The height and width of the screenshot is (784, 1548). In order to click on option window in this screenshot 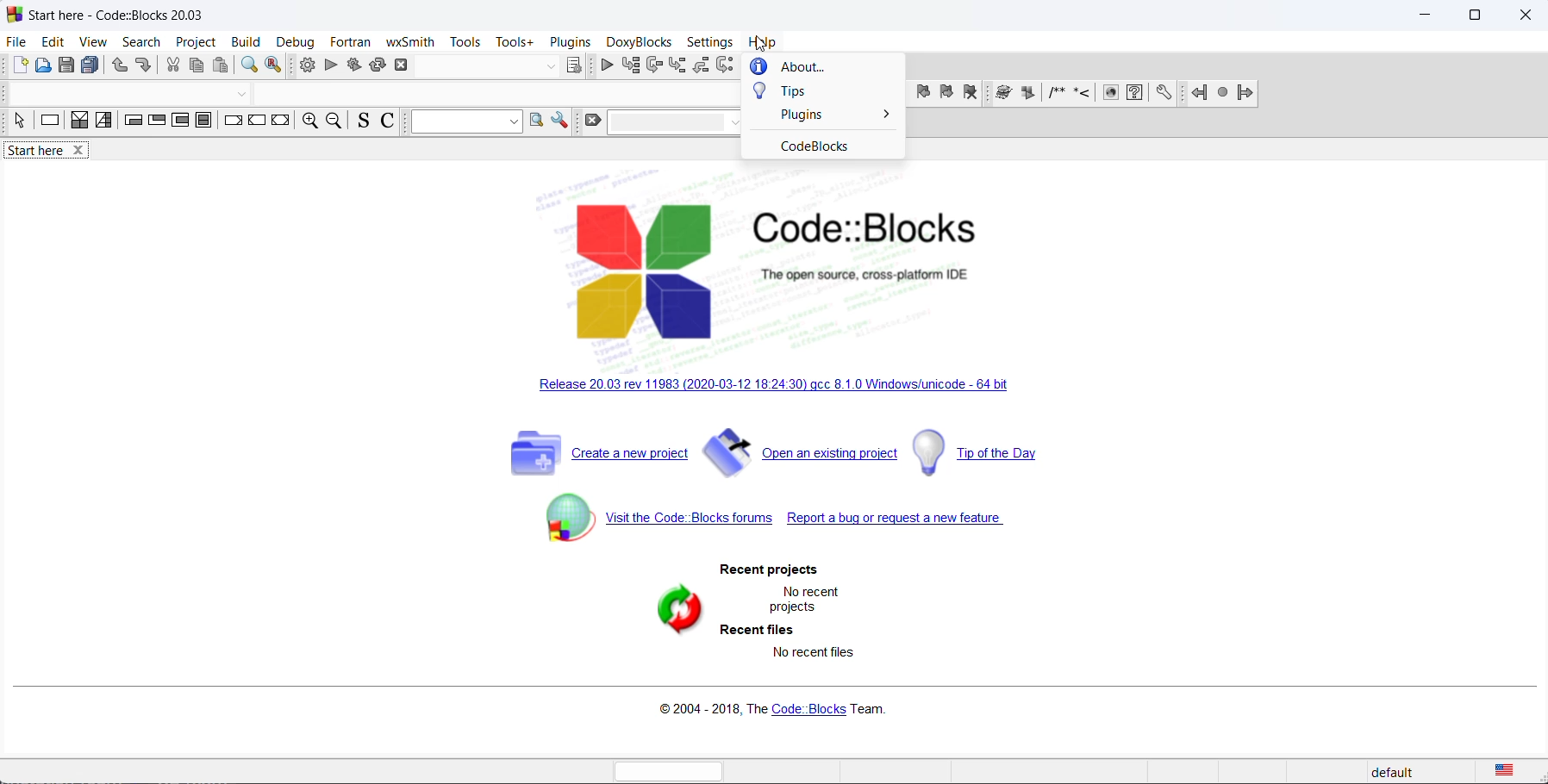, I will do `click(536, 122)`.